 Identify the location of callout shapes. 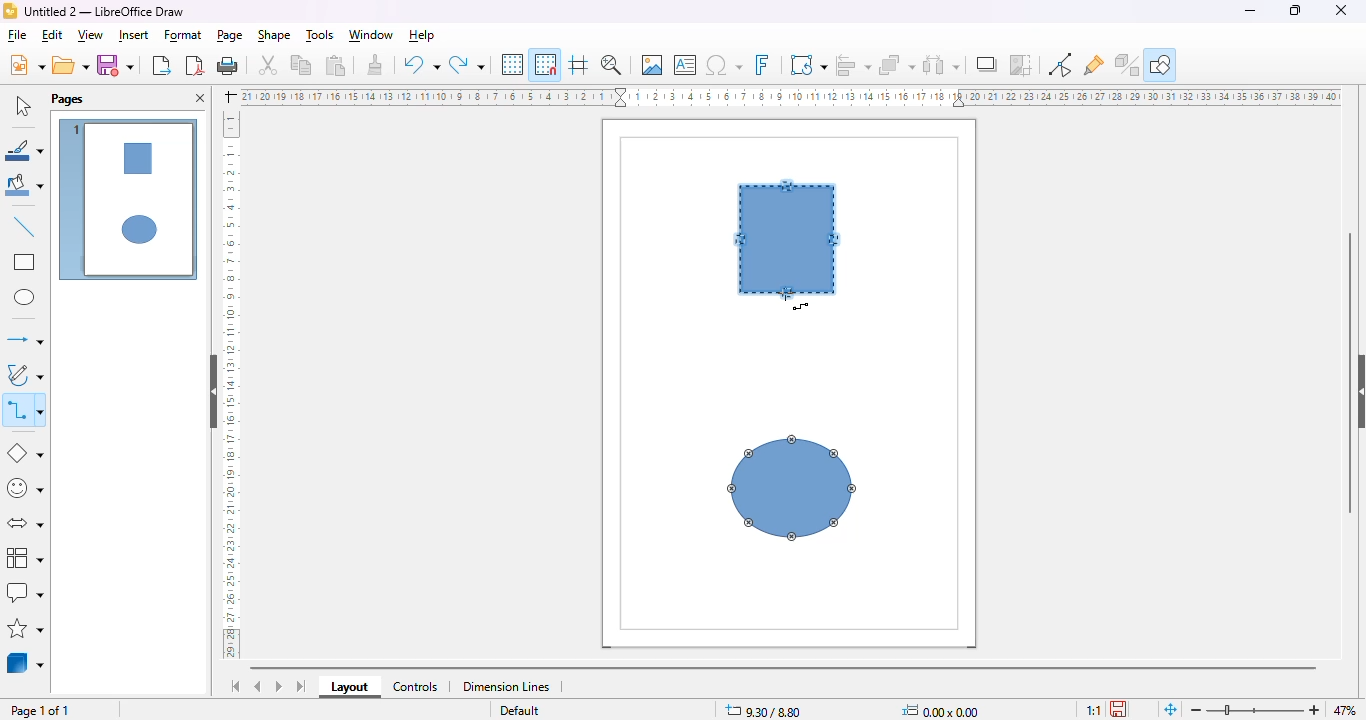
(26, 592).